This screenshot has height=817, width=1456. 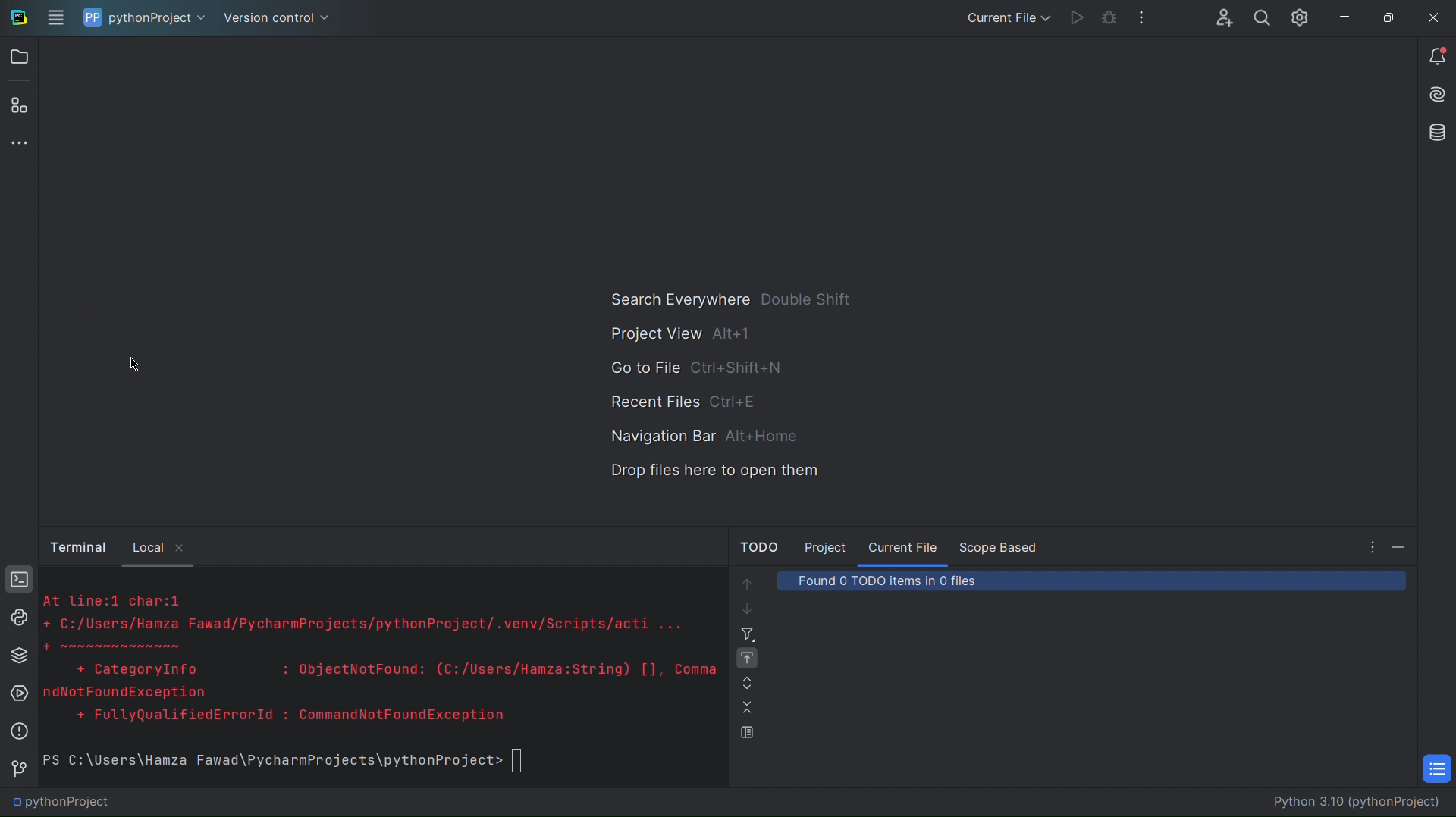 What do you see at coordinates (14, 618) in the screenshot?
I see `Python Console` at bounding box center [14, 618].